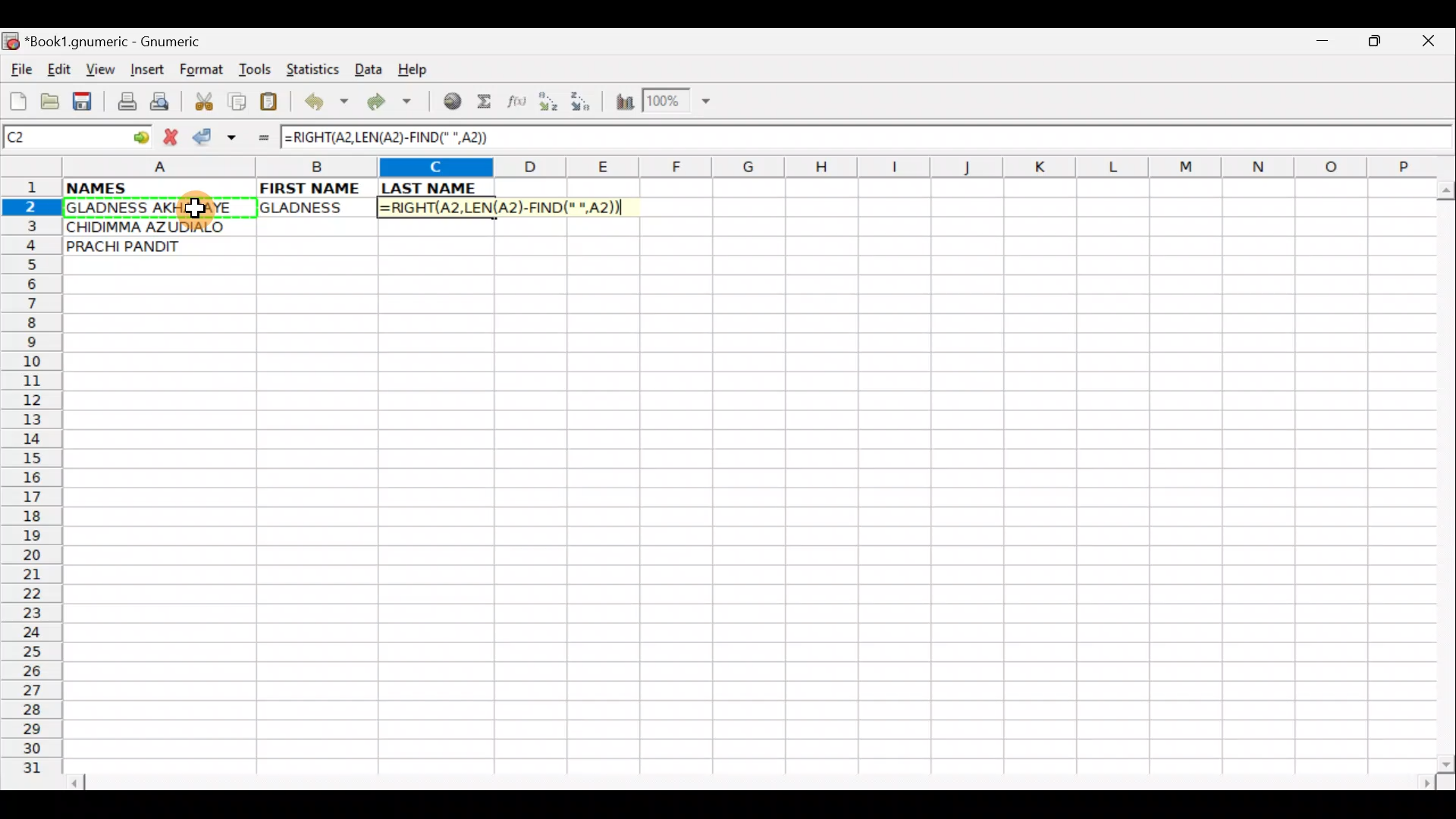 This screenshot has height=819, width=1456. Describe the element at coordinates (86, 102) in the screenshot. I see `Save current workbook` at that location.